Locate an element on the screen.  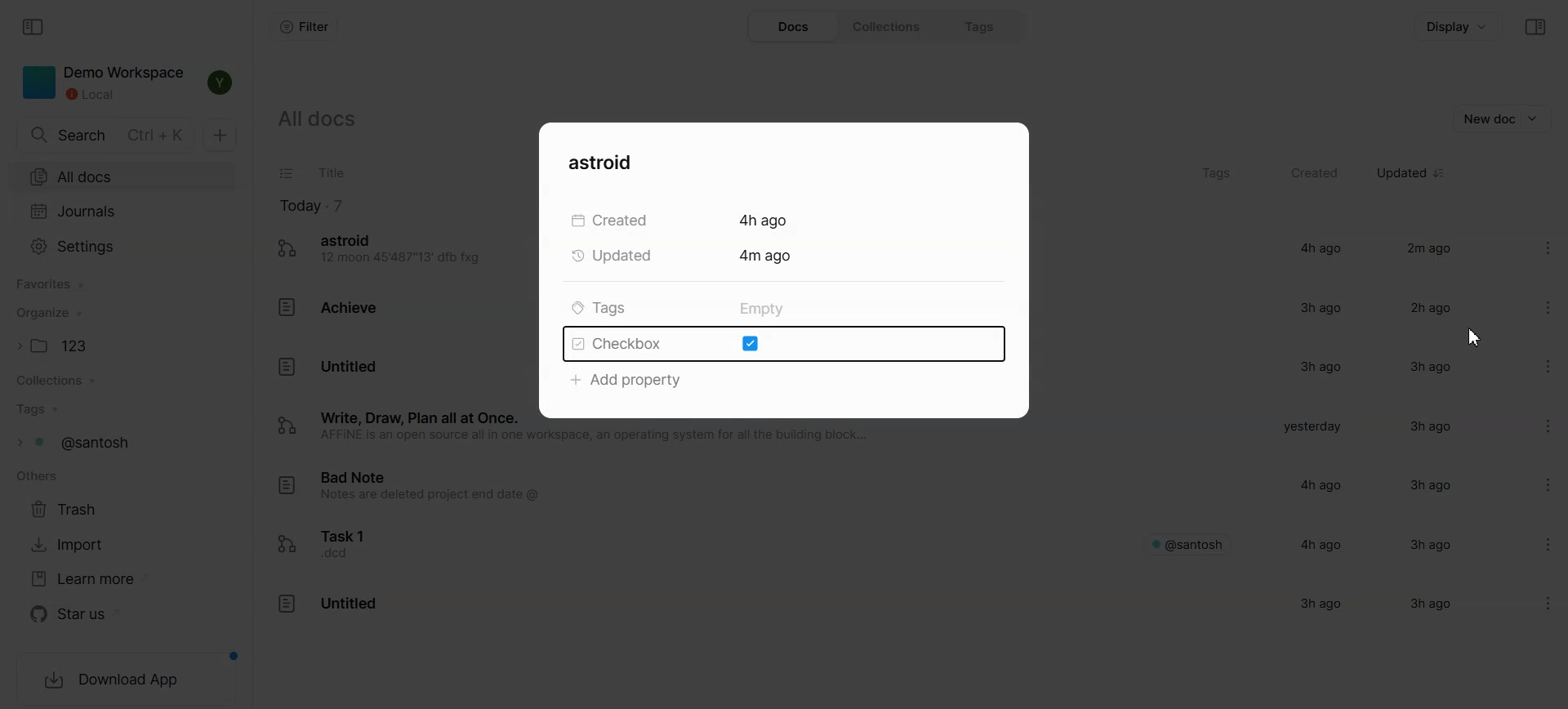
cursor is located at coordinates (1480, 338).